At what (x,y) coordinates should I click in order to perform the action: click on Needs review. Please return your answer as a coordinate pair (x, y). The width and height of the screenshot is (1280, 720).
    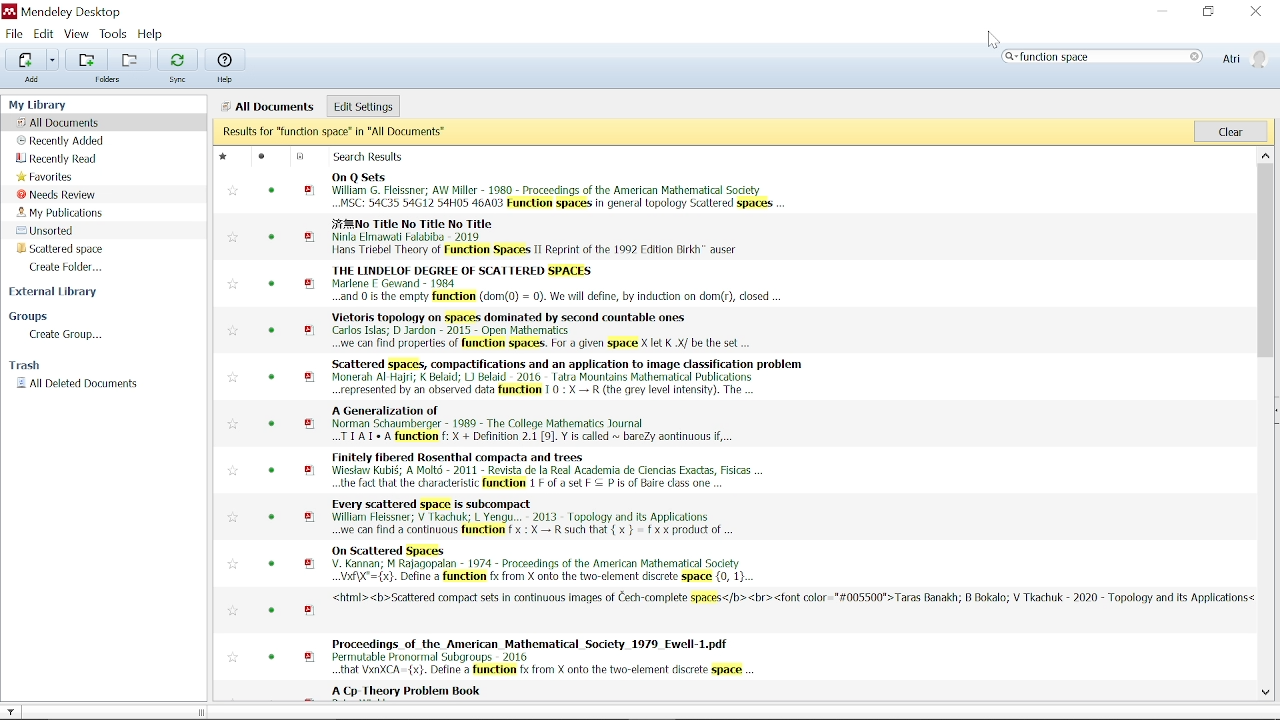
    Looking at the image, I should click on (57, 194).